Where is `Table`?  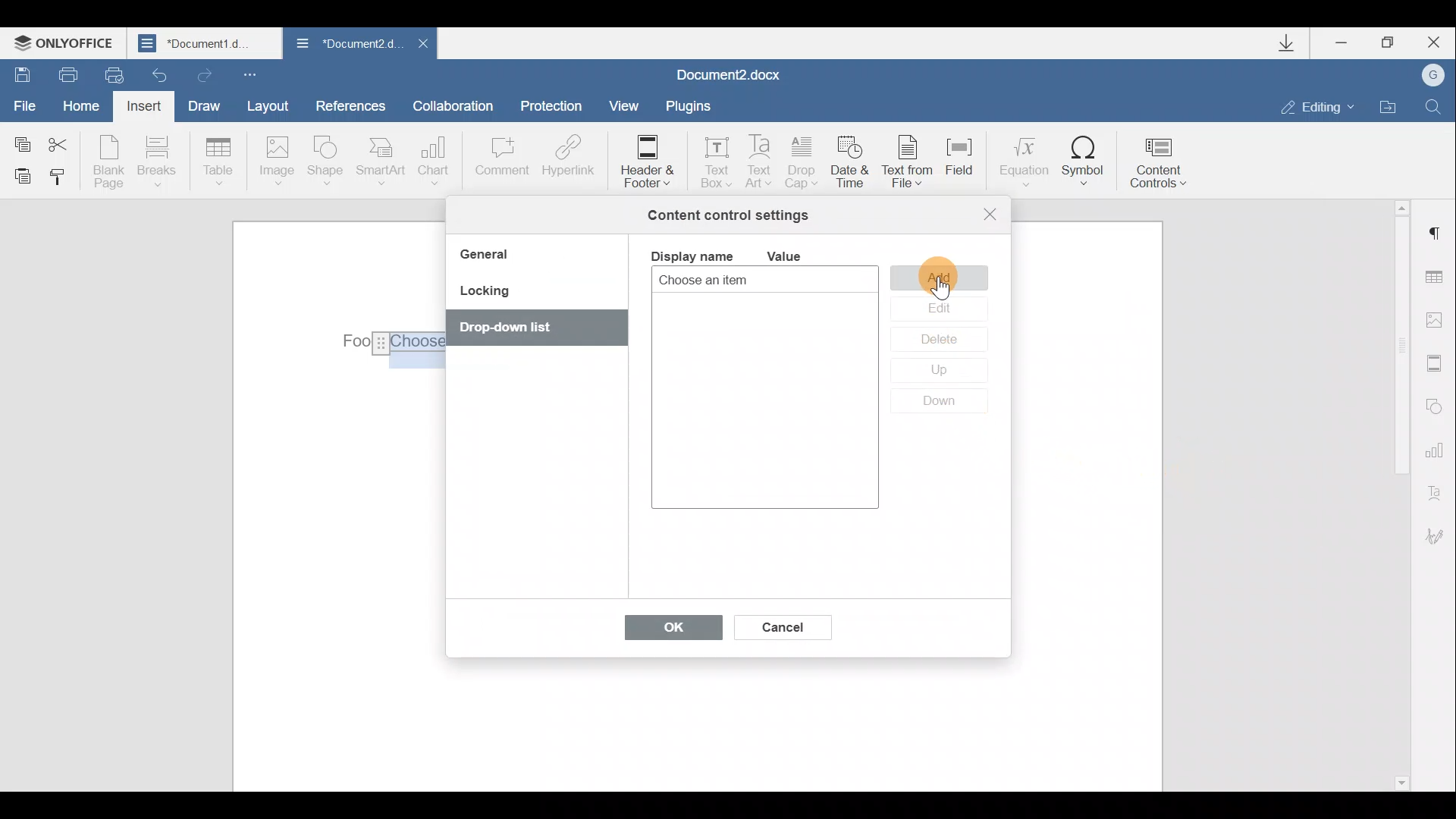 Table is located at coordinates (219, 163).